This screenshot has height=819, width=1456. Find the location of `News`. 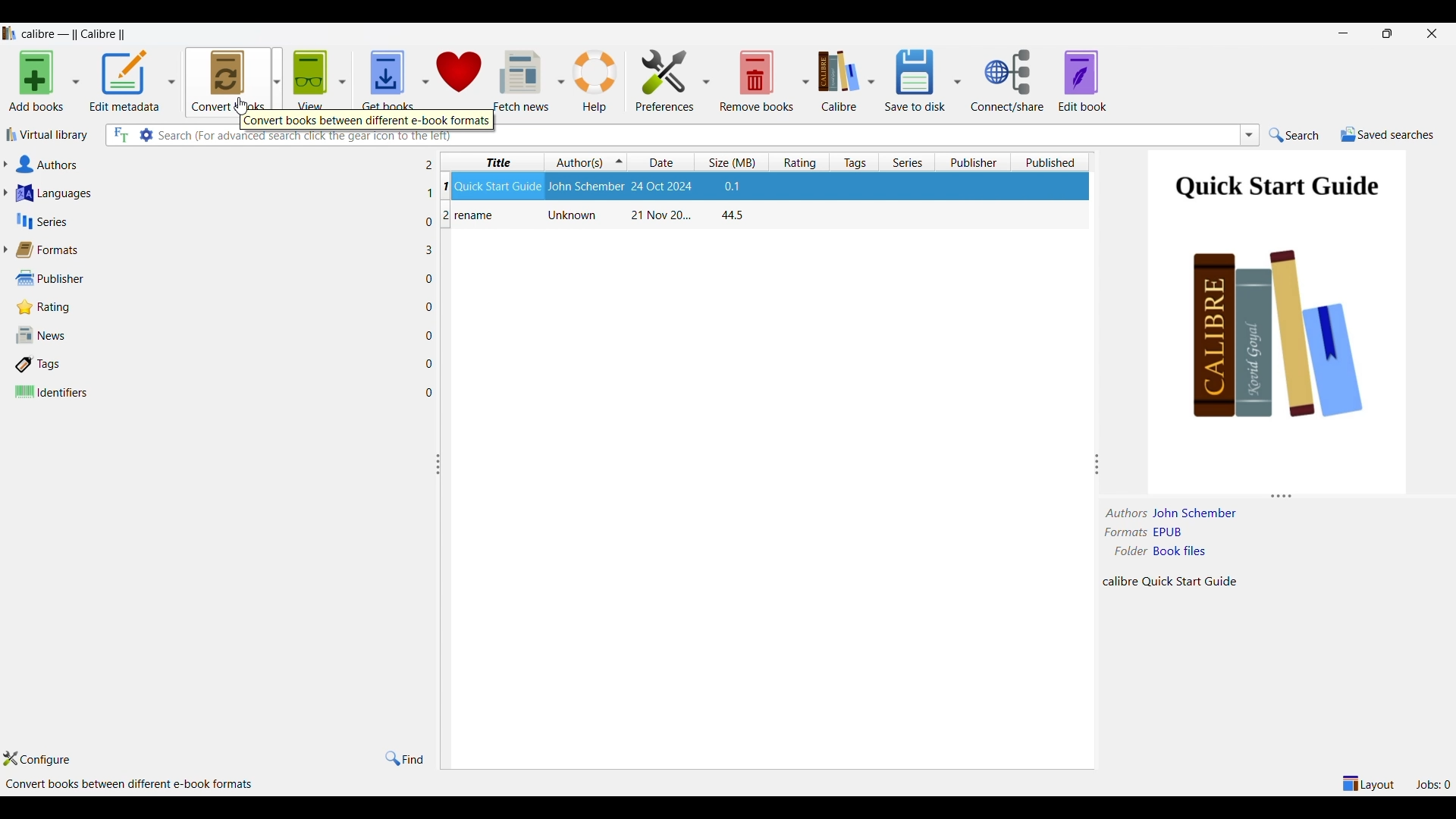

News is located at coordinates (216, 334).